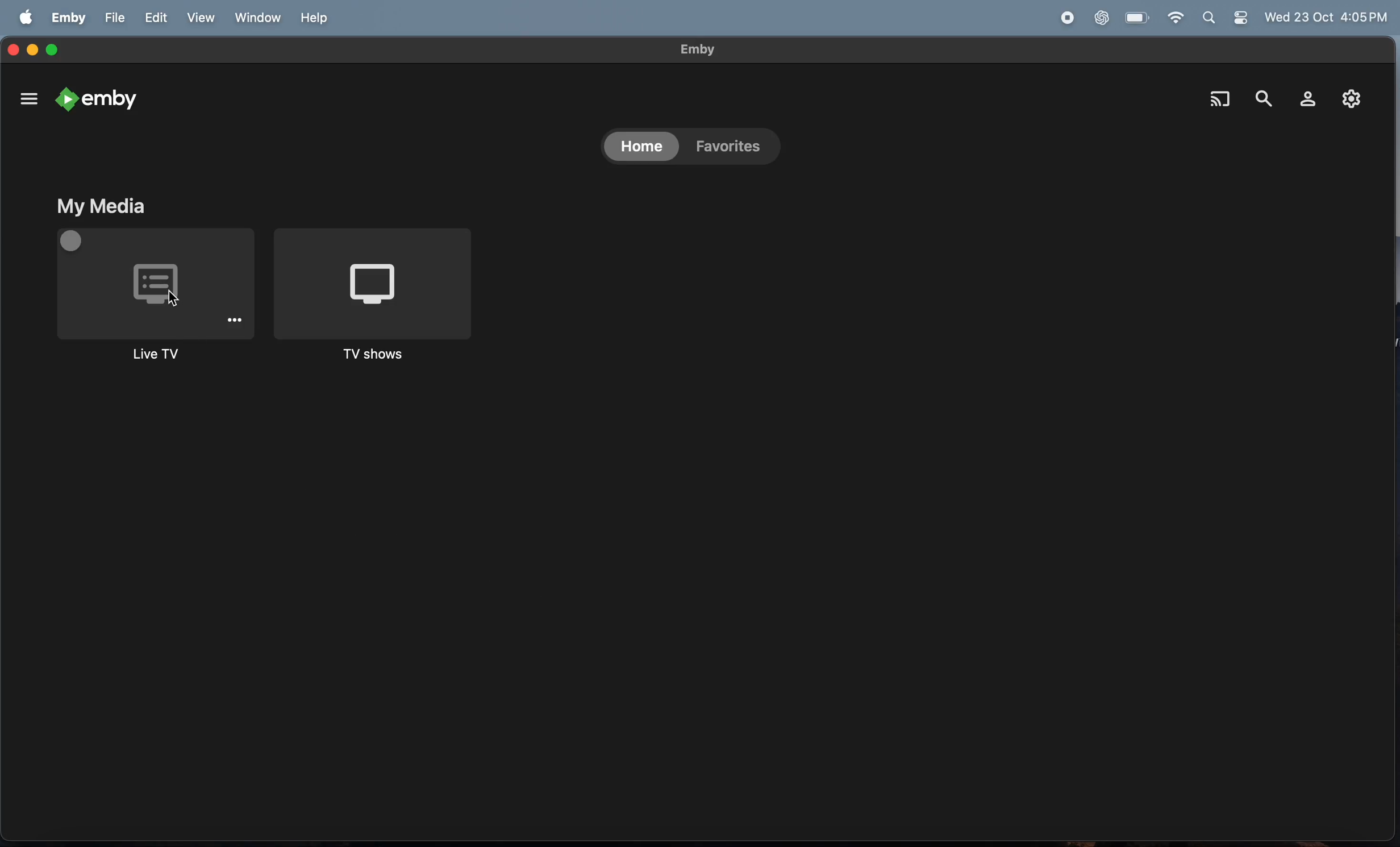  What do you see at coordinates (255, 18) in the screenshot?
I see `window` at bounding box center [255, 18].